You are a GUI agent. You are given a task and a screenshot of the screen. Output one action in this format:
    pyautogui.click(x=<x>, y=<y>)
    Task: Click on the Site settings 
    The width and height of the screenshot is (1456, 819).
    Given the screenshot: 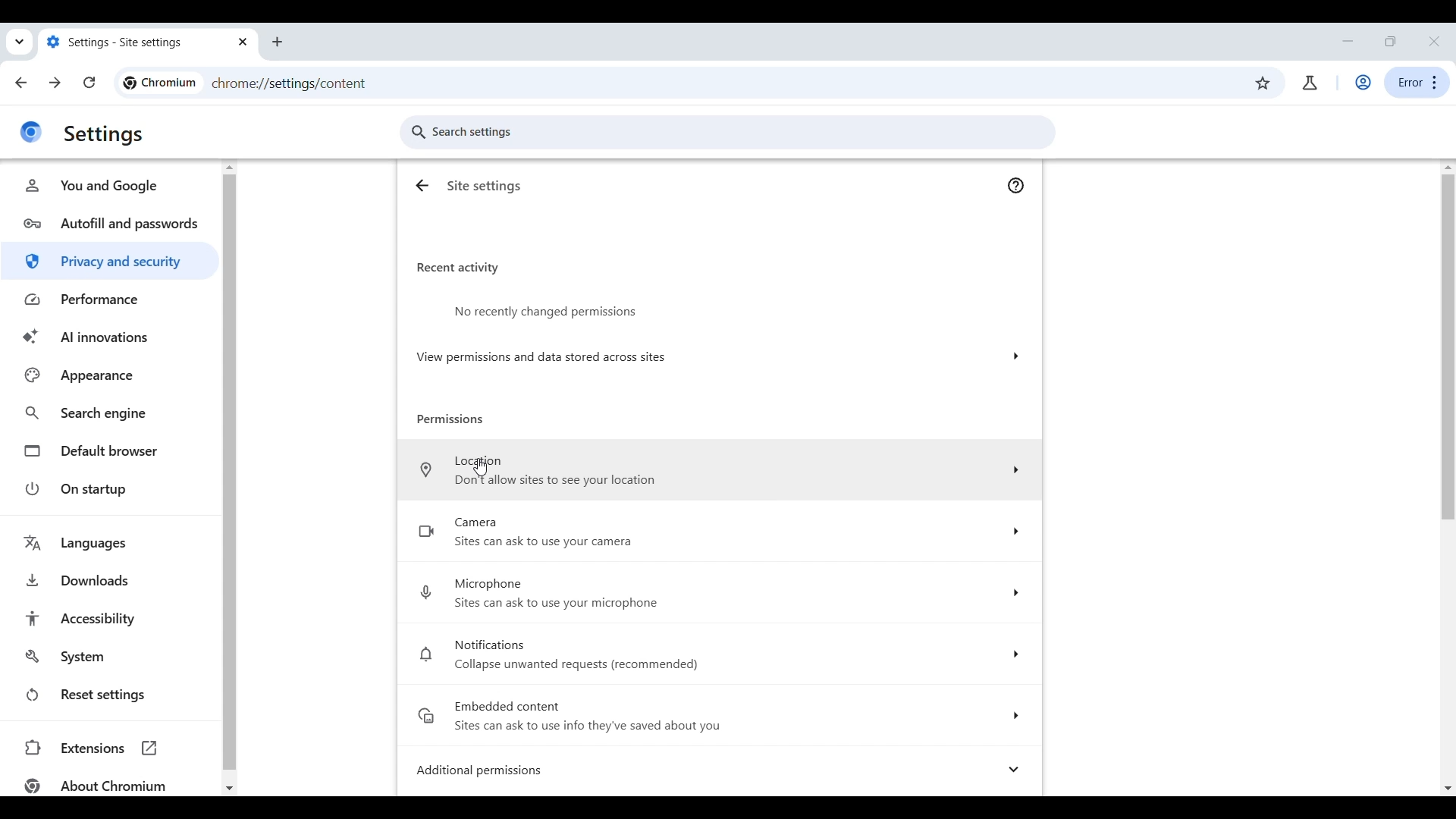 What is the action you would take?
    pyautogui.click(x=485, y=187)
    